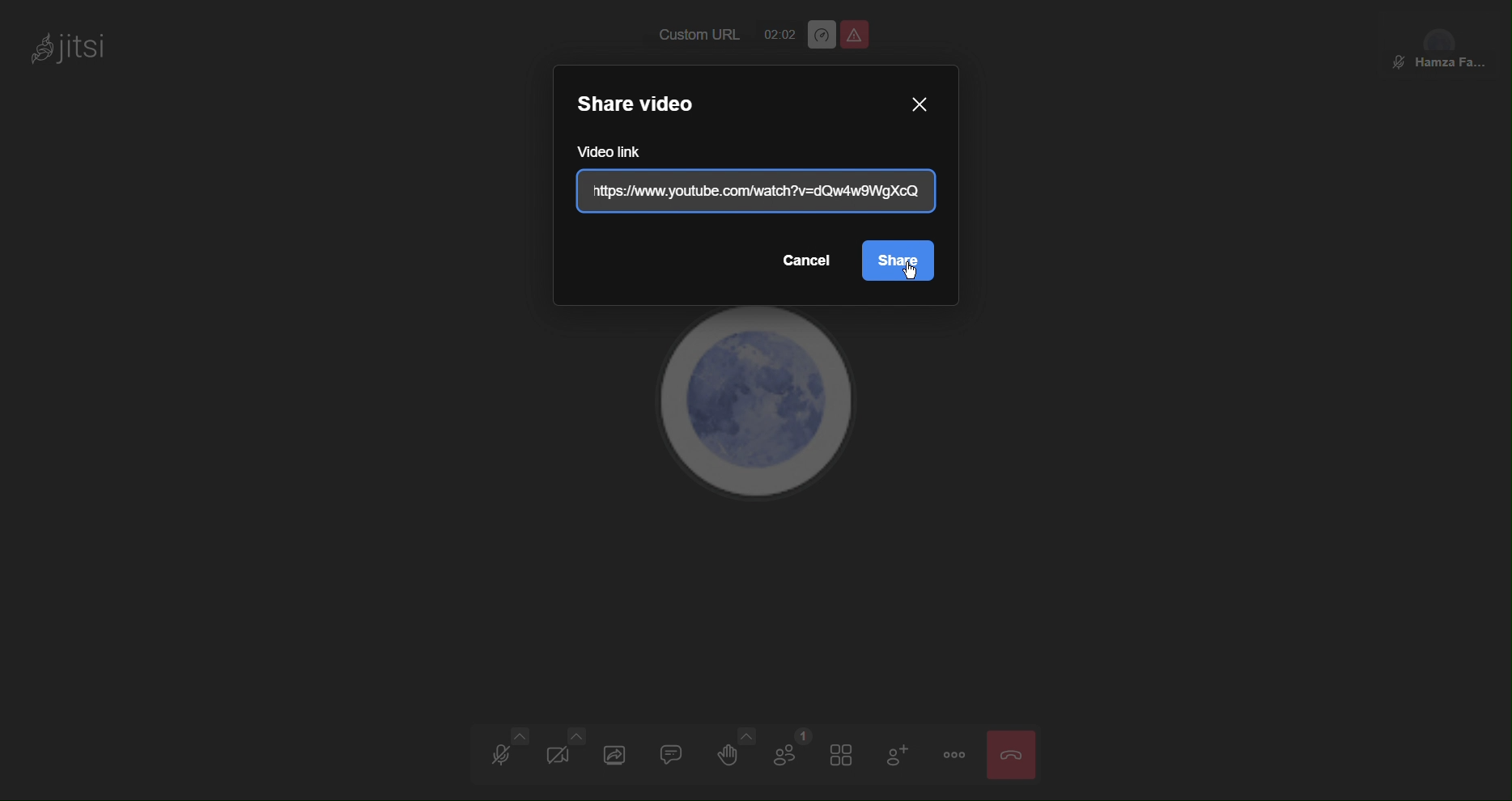 The height and width of the screenshot is (801, 1512). Describe the element at coordinates (562, 754) in the screenshot. I see `Video` at that location.